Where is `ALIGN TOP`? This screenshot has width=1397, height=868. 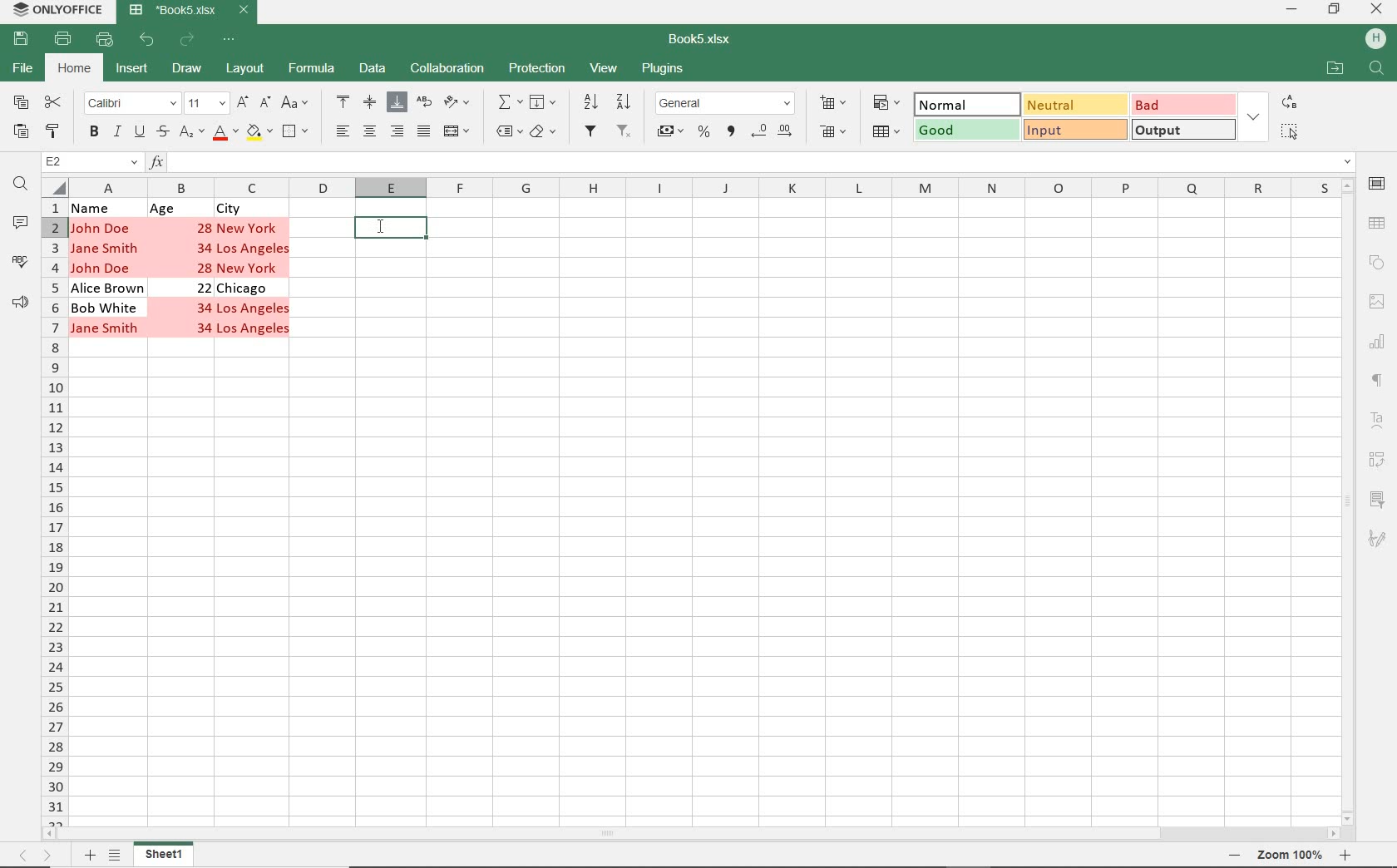
ALIGN TOP is located at coordinates (343, 103).